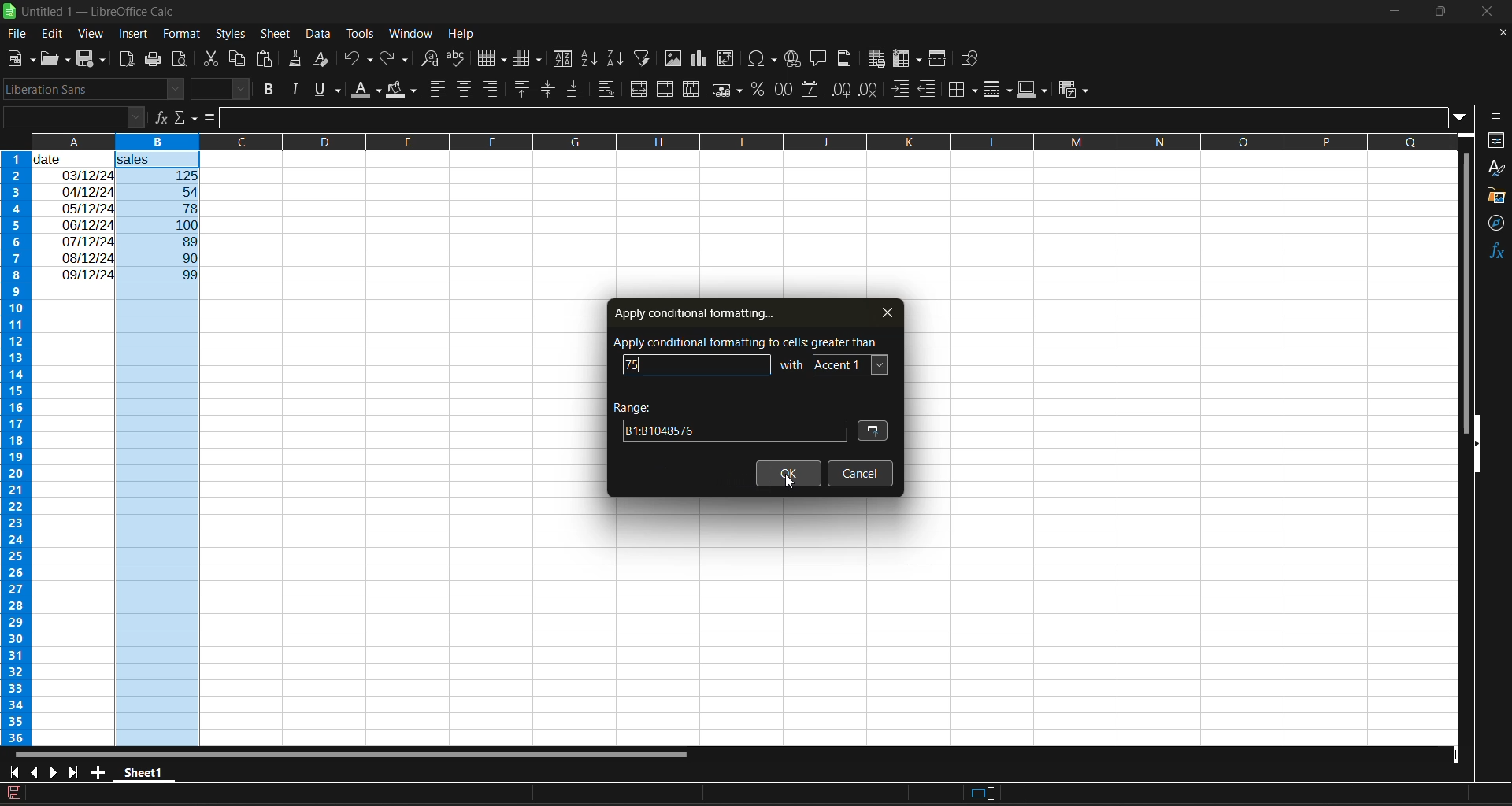  I want to click on add decimal place, so click(839, 91).